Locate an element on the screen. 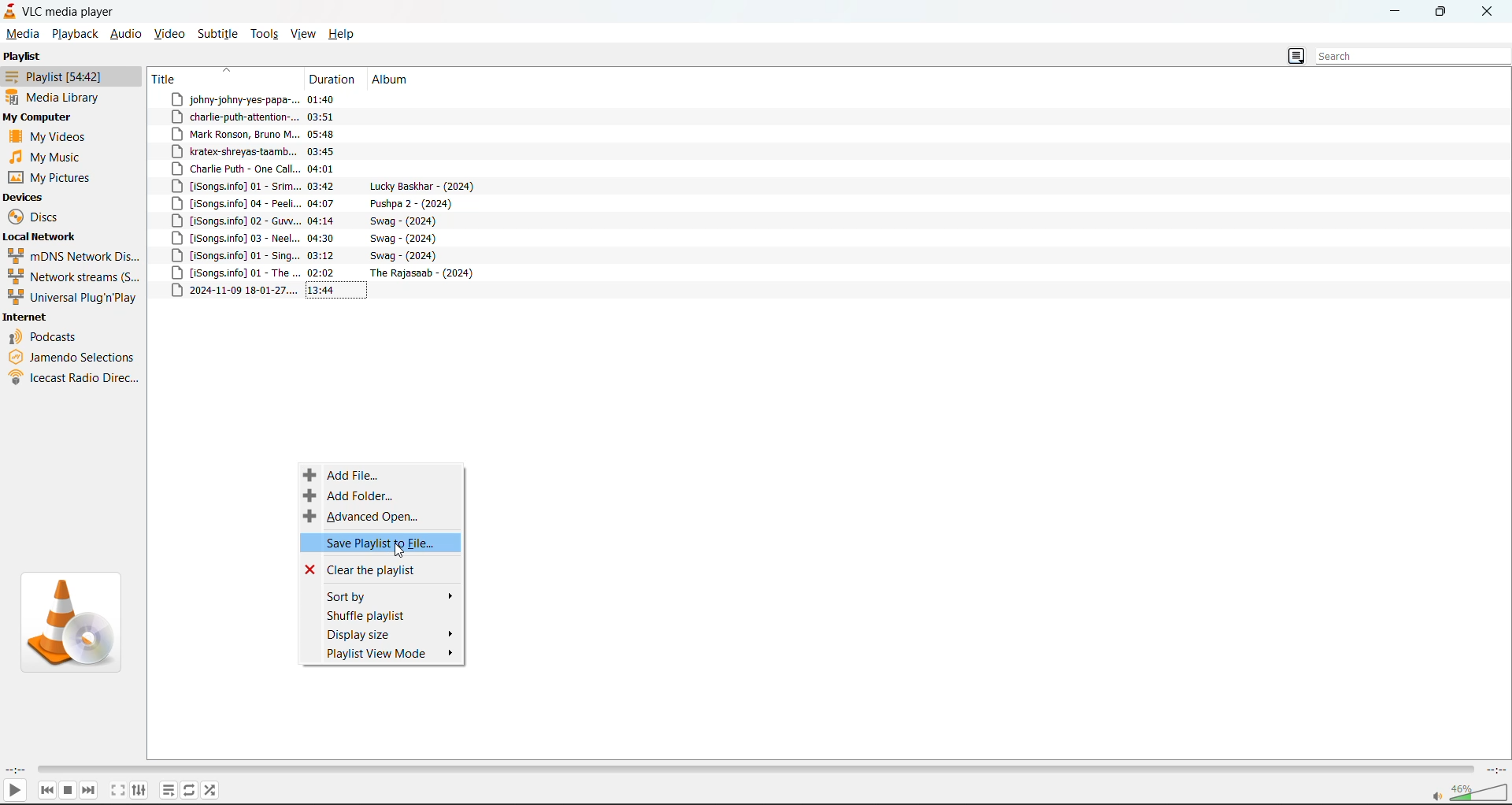 This screenshot has width=1512, height=805. network streams is located at coordinates (74, 278).